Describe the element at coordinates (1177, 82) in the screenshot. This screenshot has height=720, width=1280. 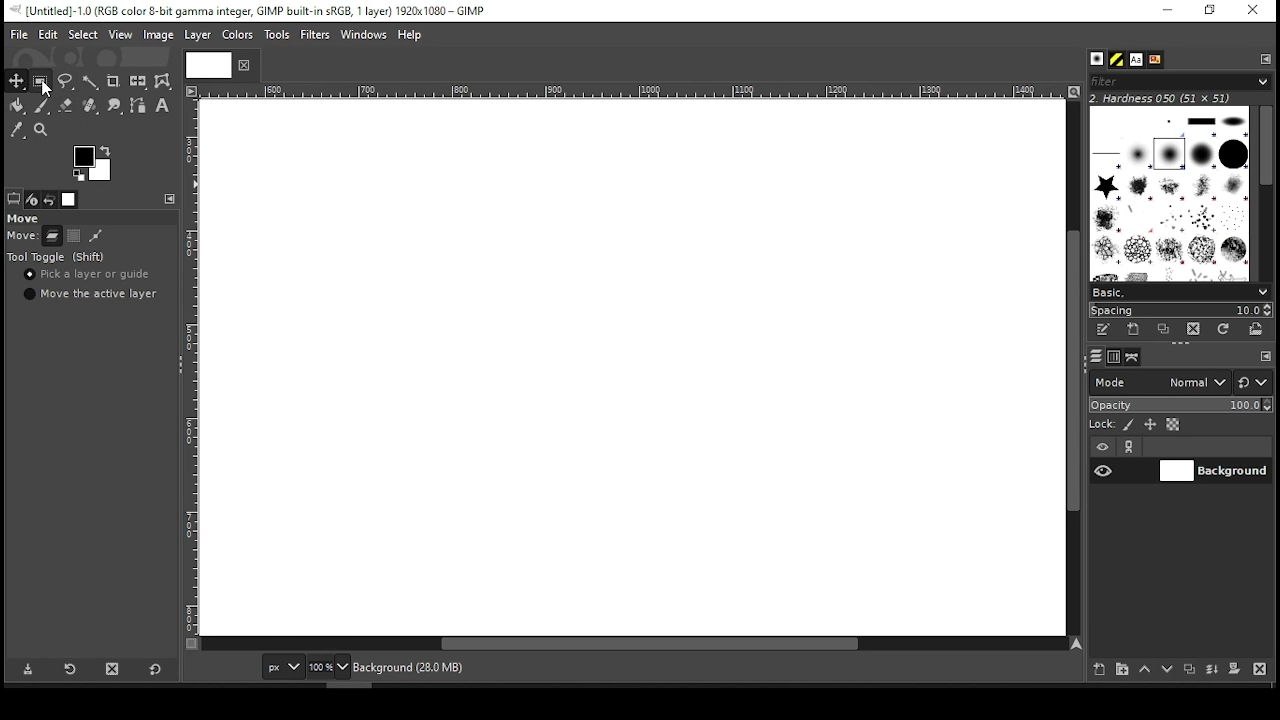
I see `filters` at that location.